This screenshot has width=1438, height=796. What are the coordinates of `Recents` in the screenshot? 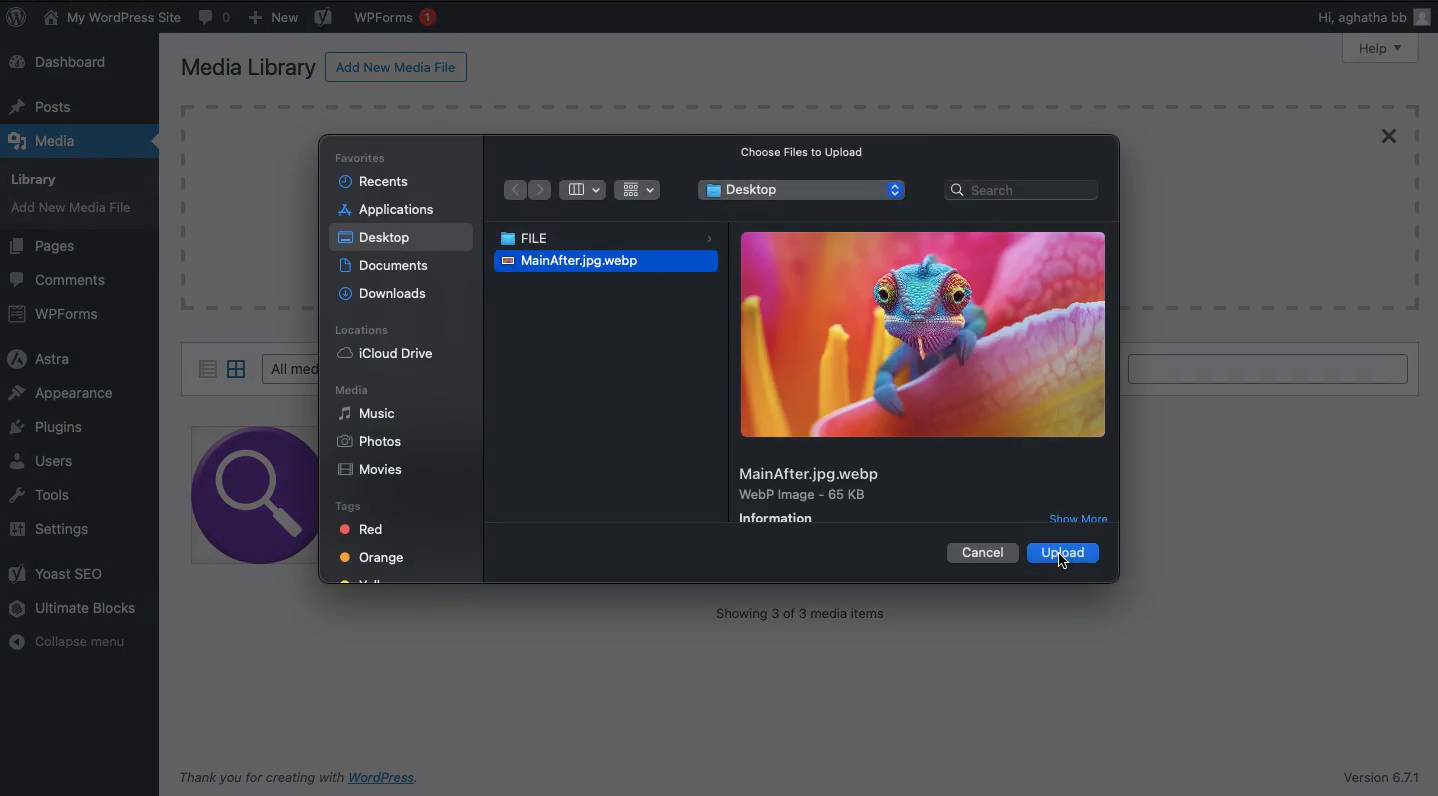 It's located at (372, 183).